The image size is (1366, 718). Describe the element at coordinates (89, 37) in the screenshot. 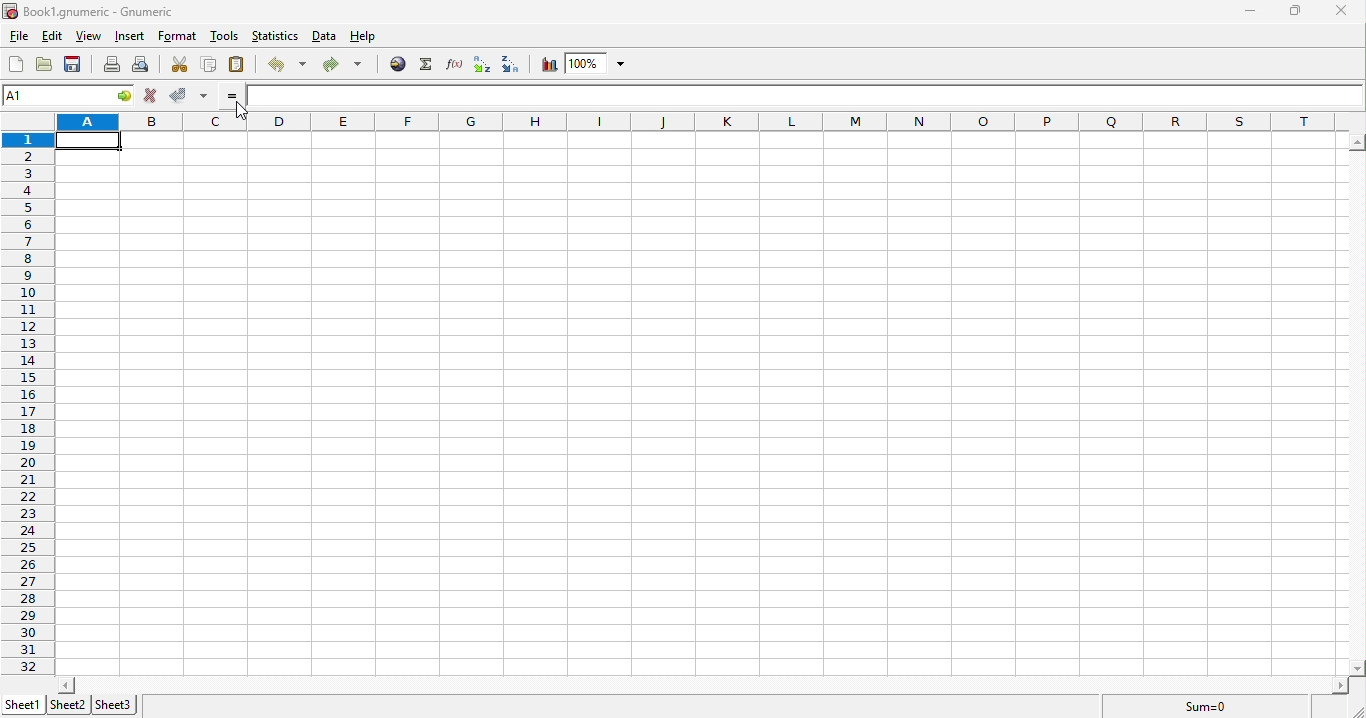

I see `view` at that location.